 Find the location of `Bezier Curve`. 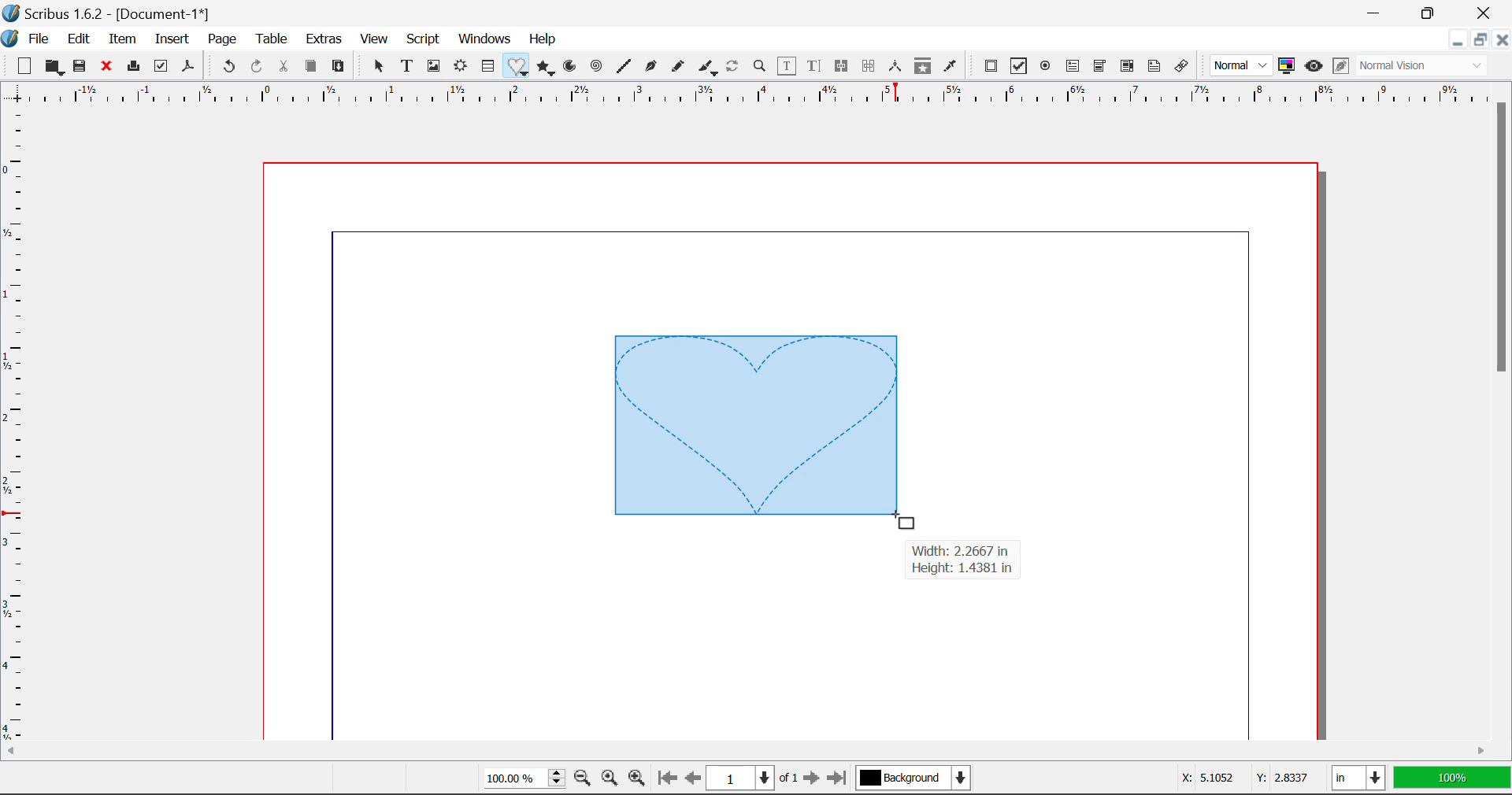

Bezier Curve is located at coordinates (652, 68).